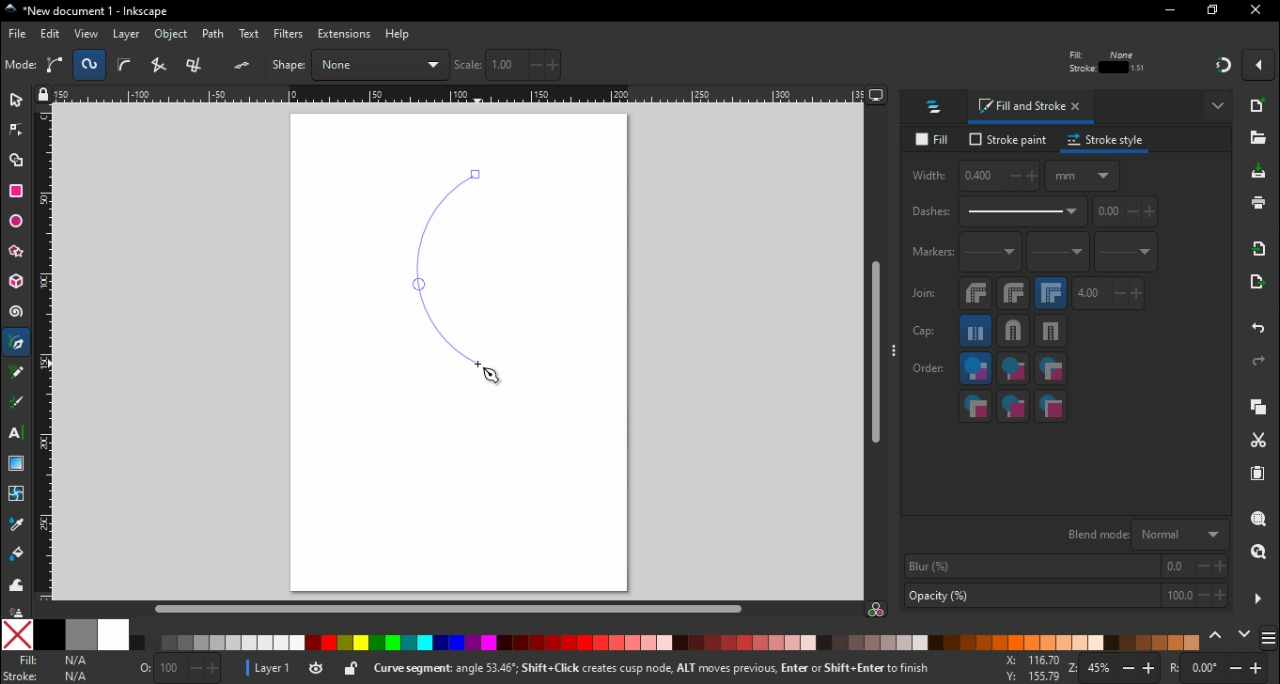 This screenshot has width=1280, height=684. What do you see at coordinates (1260, 442) in the screenshot?
I see `cut` at bounding box center [1260, 442].